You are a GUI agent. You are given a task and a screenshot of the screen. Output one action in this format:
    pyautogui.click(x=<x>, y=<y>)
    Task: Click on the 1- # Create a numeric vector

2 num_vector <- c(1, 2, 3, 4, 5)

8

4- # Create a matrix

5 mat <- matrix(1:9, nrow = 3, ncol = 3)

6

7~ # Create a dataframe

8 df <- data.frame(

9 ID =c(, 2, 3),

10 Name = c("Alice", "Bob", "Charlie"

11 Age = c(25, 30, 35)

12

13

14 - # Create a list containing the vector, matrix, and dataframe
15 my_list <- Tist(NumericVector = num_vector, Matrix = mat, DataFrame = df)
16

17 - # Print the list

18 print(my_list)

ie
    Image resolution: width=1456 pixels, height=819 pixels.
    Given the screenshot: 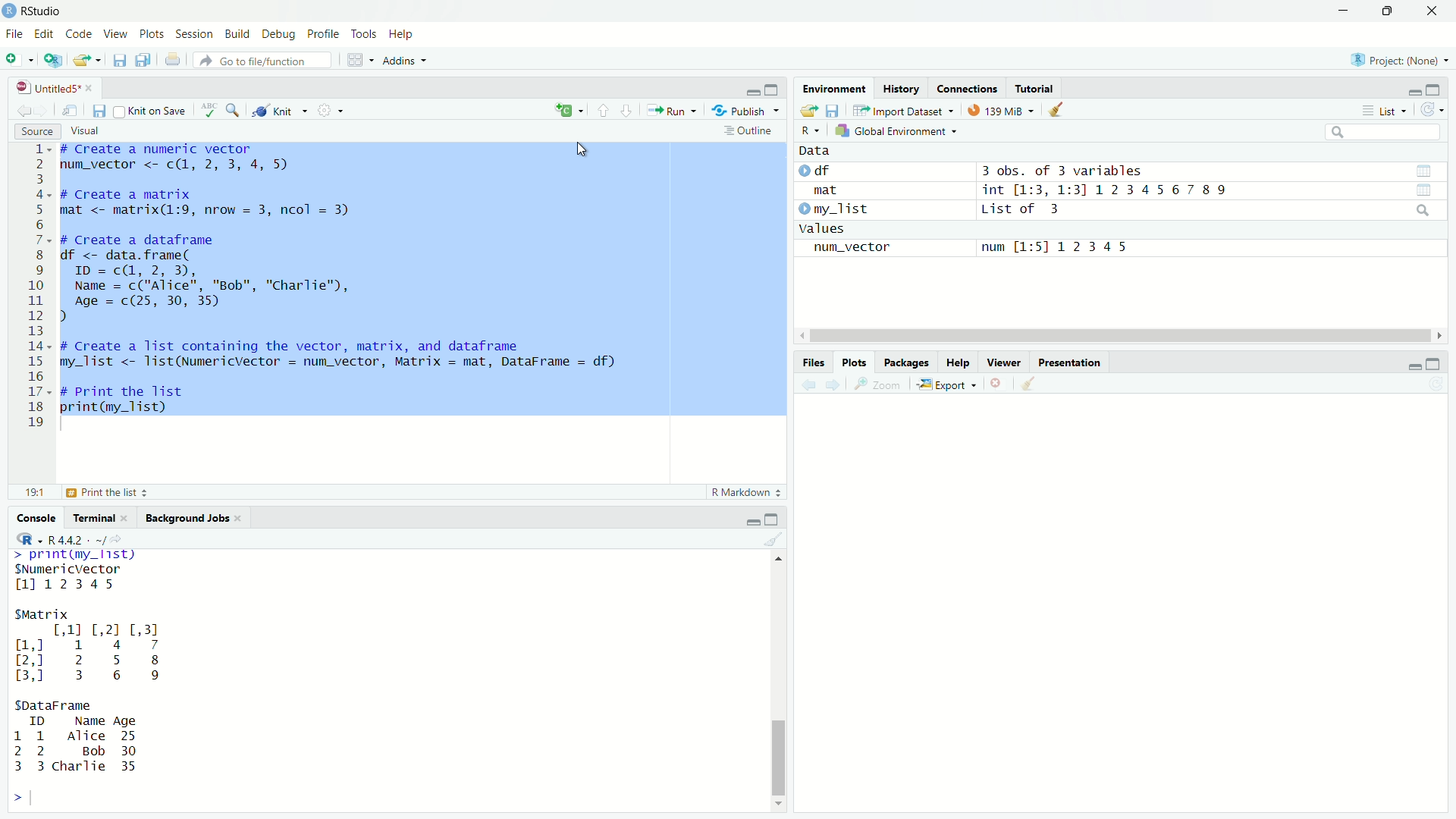 What is the action you would take?
    pyautogui.click(x=399, y=293)
    